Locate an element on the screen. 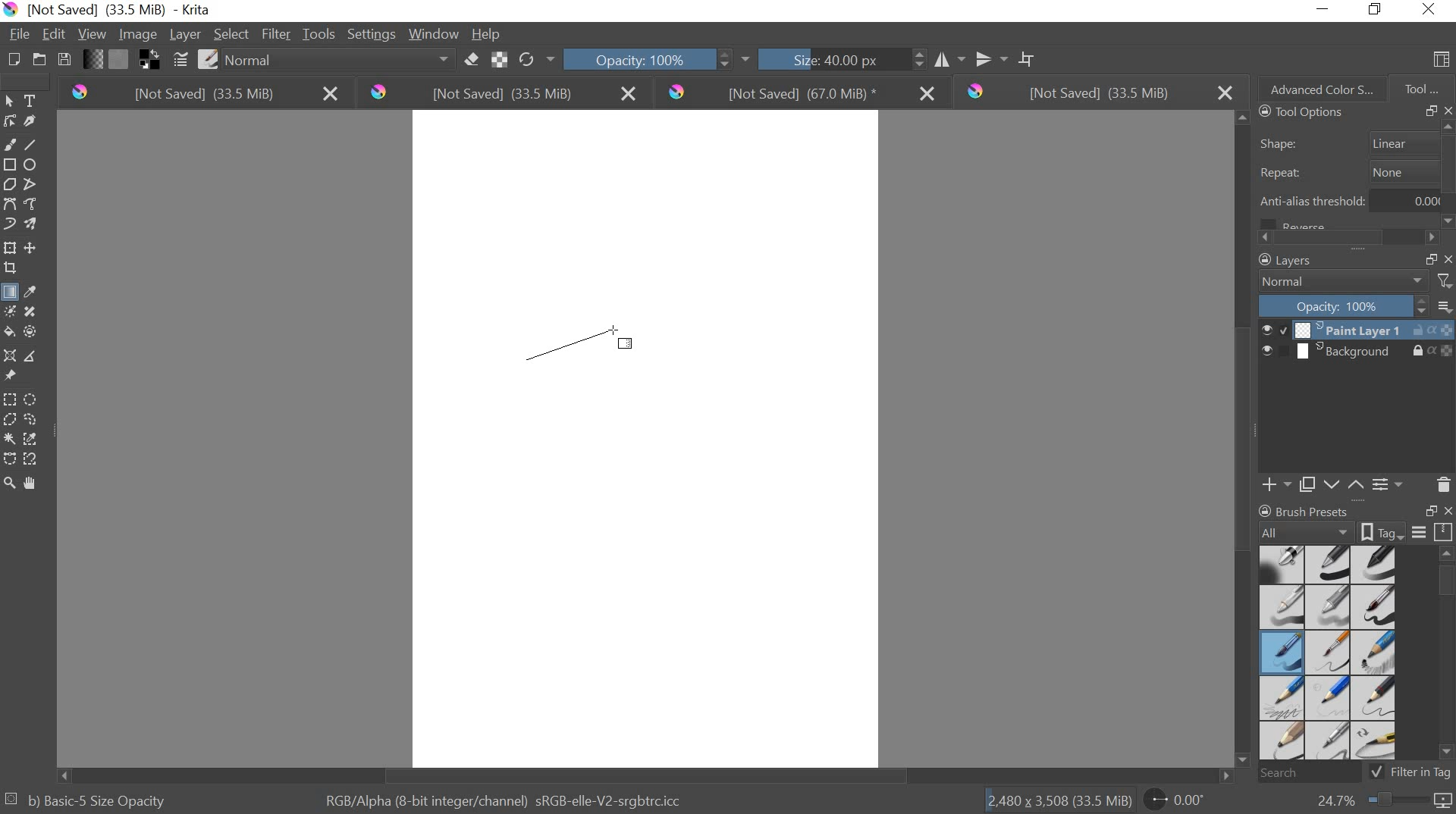 The height and width of the screenshot is (814, 1456). SEARCH  is located at coordinates (1315, 773).